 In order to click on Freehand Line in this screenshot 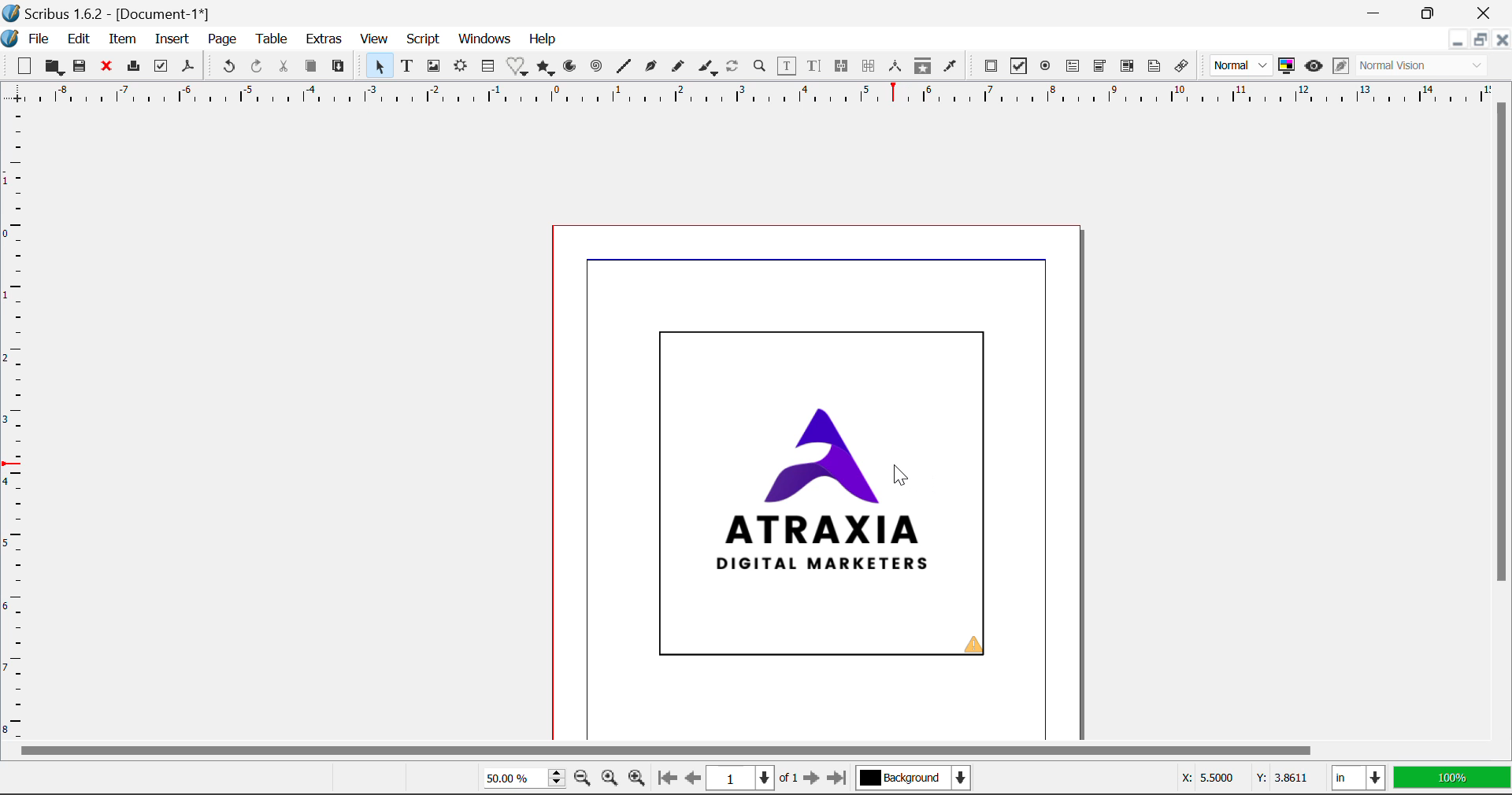, I will do `click(680, 70)`.